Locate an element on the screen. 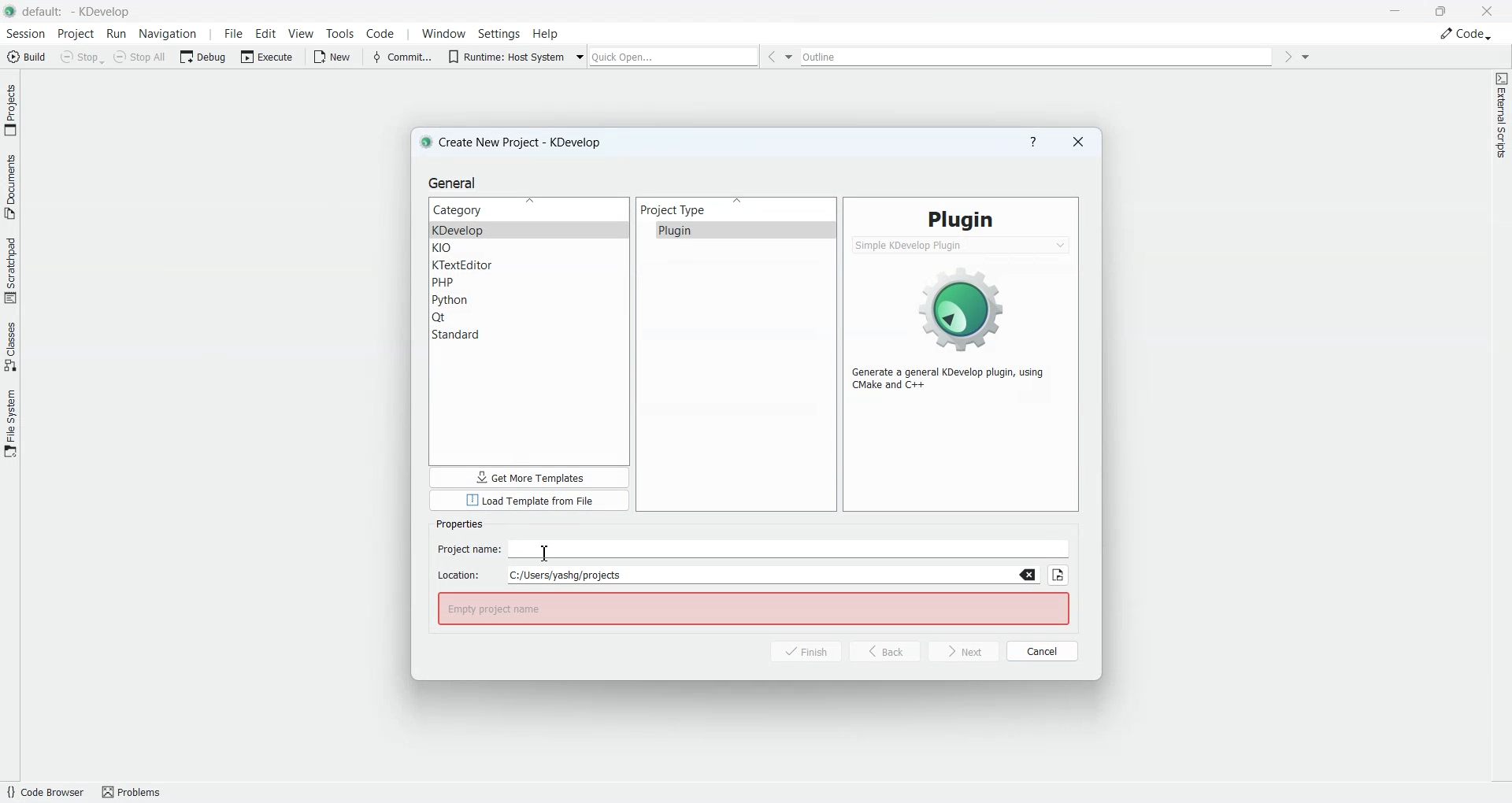 Image resolution: width=1512 pixels, height=803 pixels. Code Browser is located at coordinates (44, 792).